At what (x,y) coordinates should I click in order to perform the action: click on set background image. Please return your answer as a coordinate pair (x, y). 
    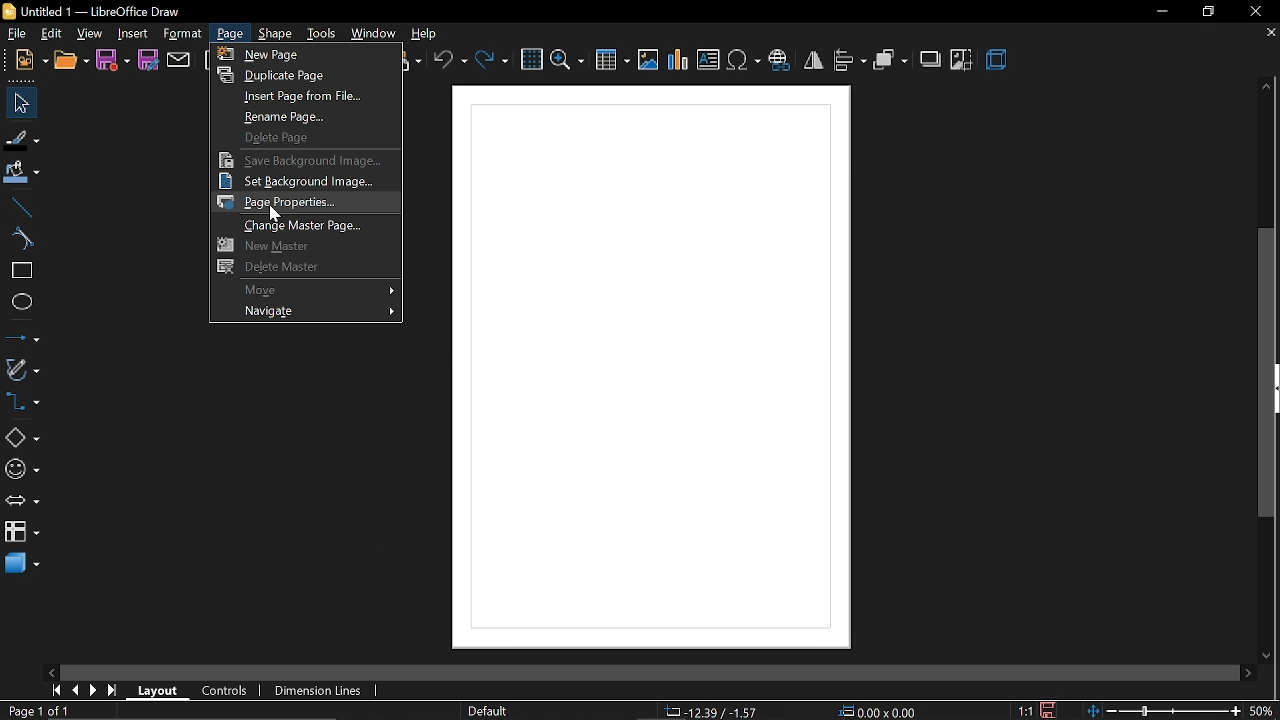
    Looking at the image, I should click on (304, 182).